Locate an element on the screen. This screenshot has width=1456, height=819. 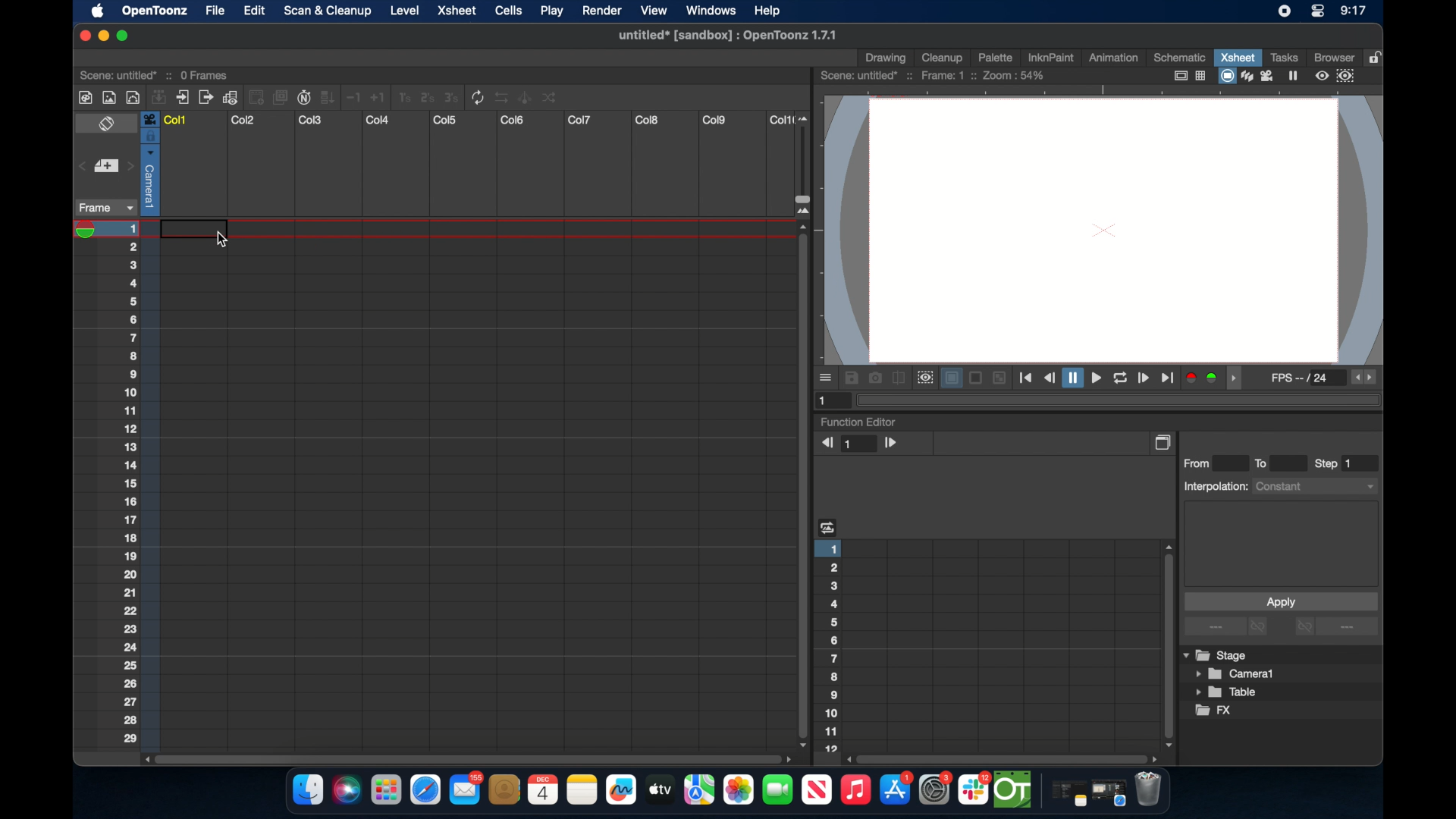
column selected is located at coordinates (149, 163).